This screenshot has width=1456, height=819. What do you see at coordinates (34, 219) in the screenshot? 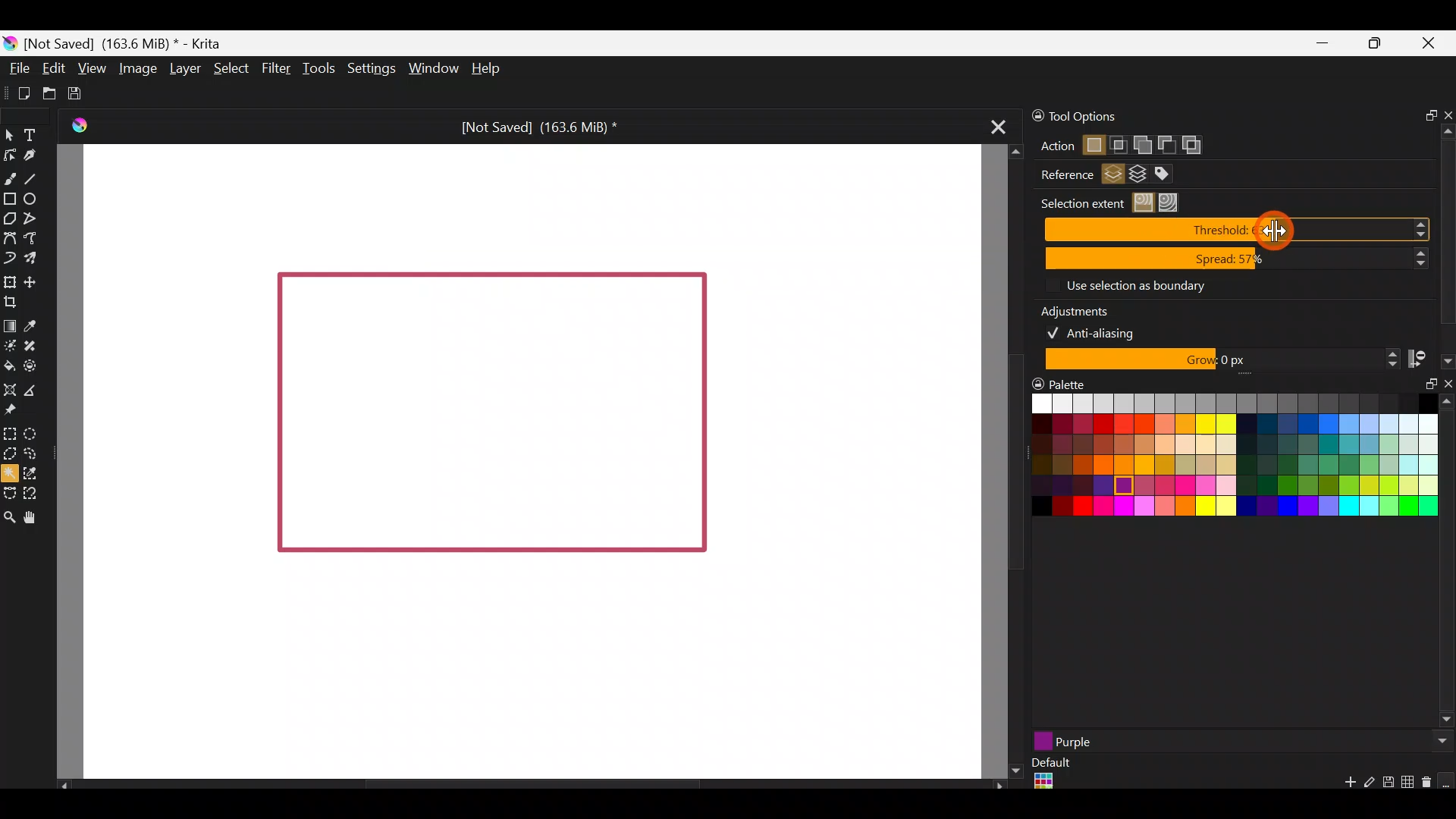
I see `Polyline tool` at bounding box center [34, 219].